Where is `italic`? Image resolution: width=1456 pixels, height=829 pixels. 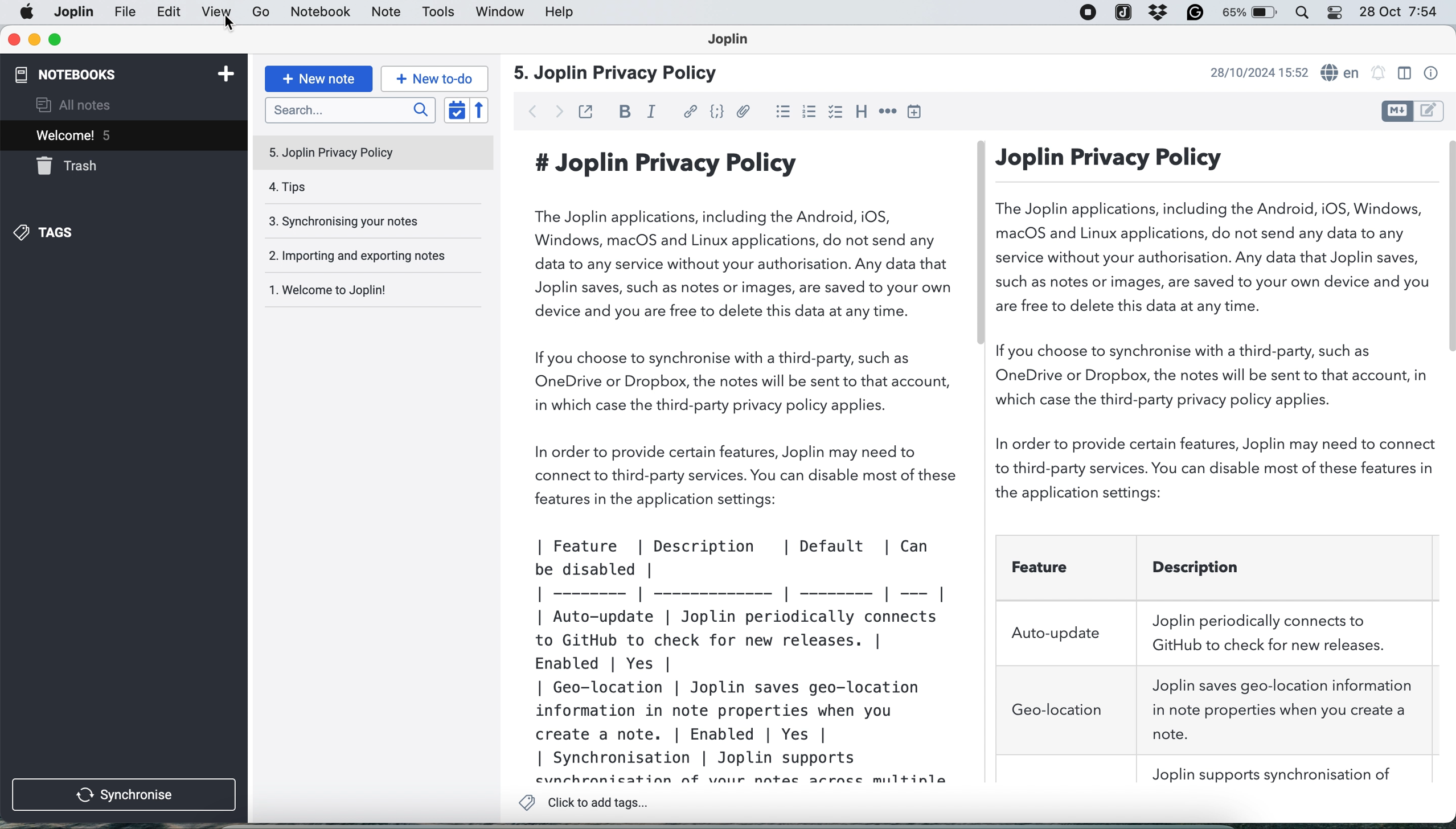 italic is located at coordinates (652, 112).